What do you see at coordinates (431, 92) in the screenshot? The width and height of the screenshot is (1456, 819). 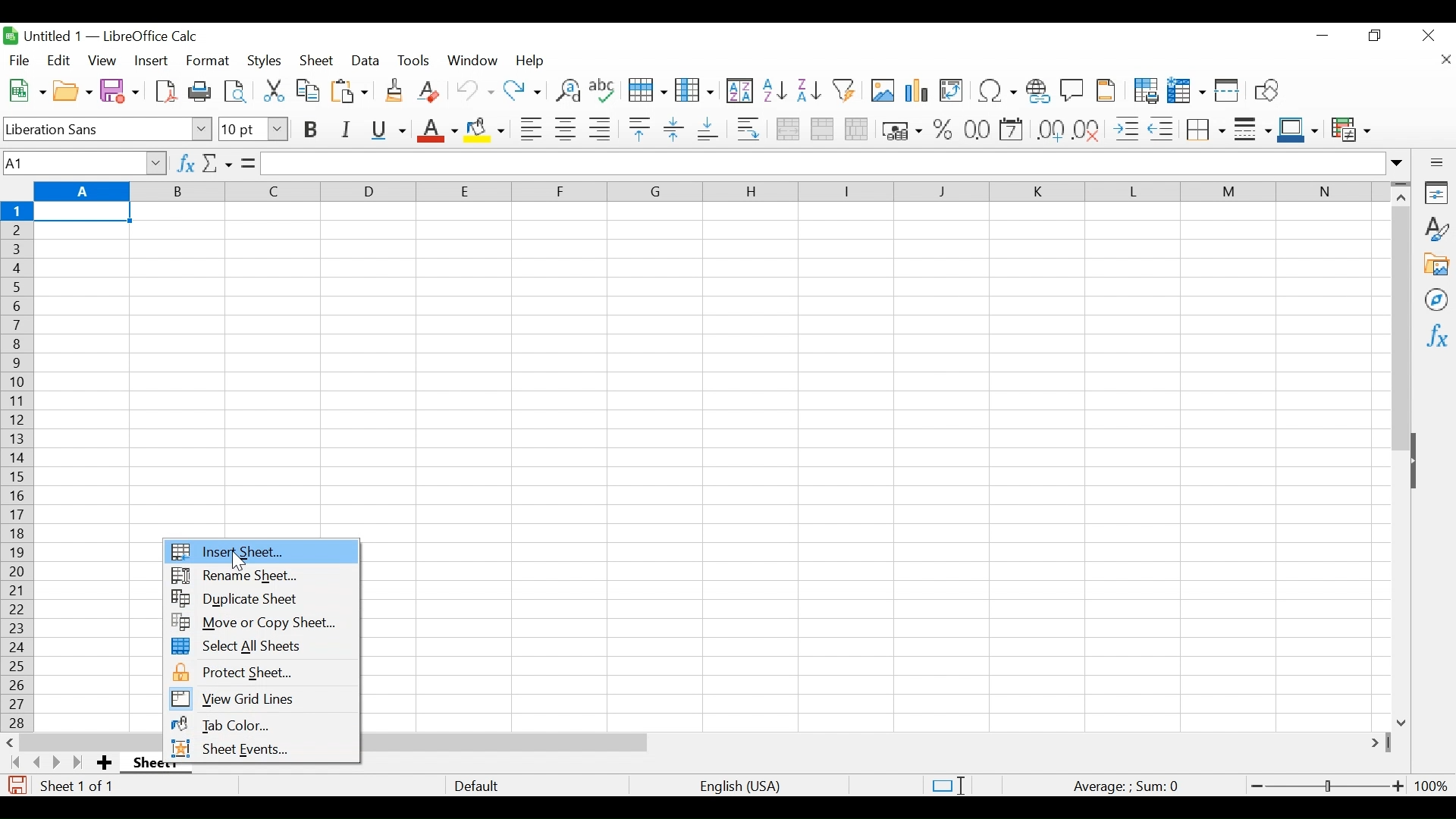 I see `Clear Direct Formatting` at bounding box center [431, 92].